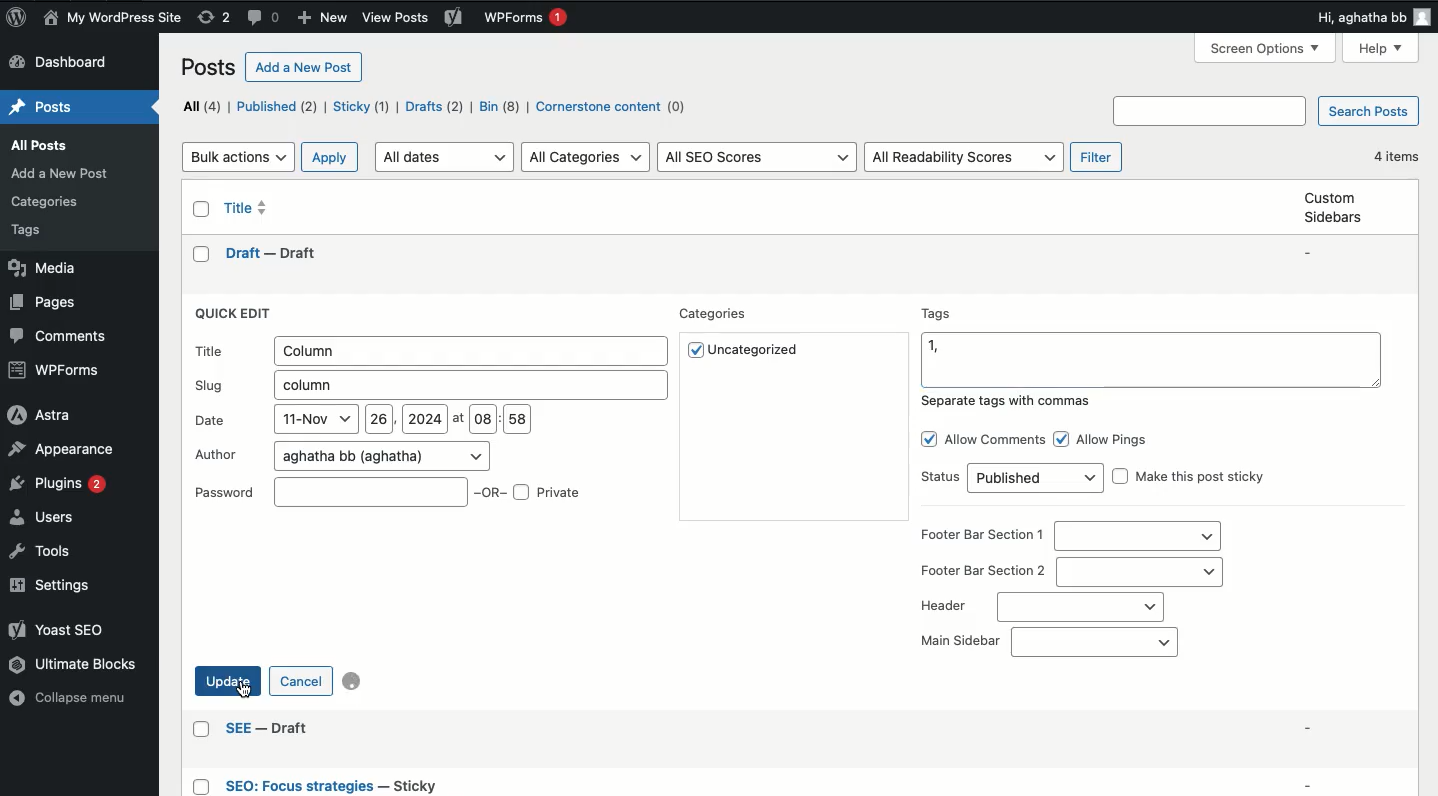 Image resolution: width=1438 pixels, height=796 pixels. What do you see at coordinates (328, 491) in the screenshot?
I see `Password` at bounding box center [328, 491].